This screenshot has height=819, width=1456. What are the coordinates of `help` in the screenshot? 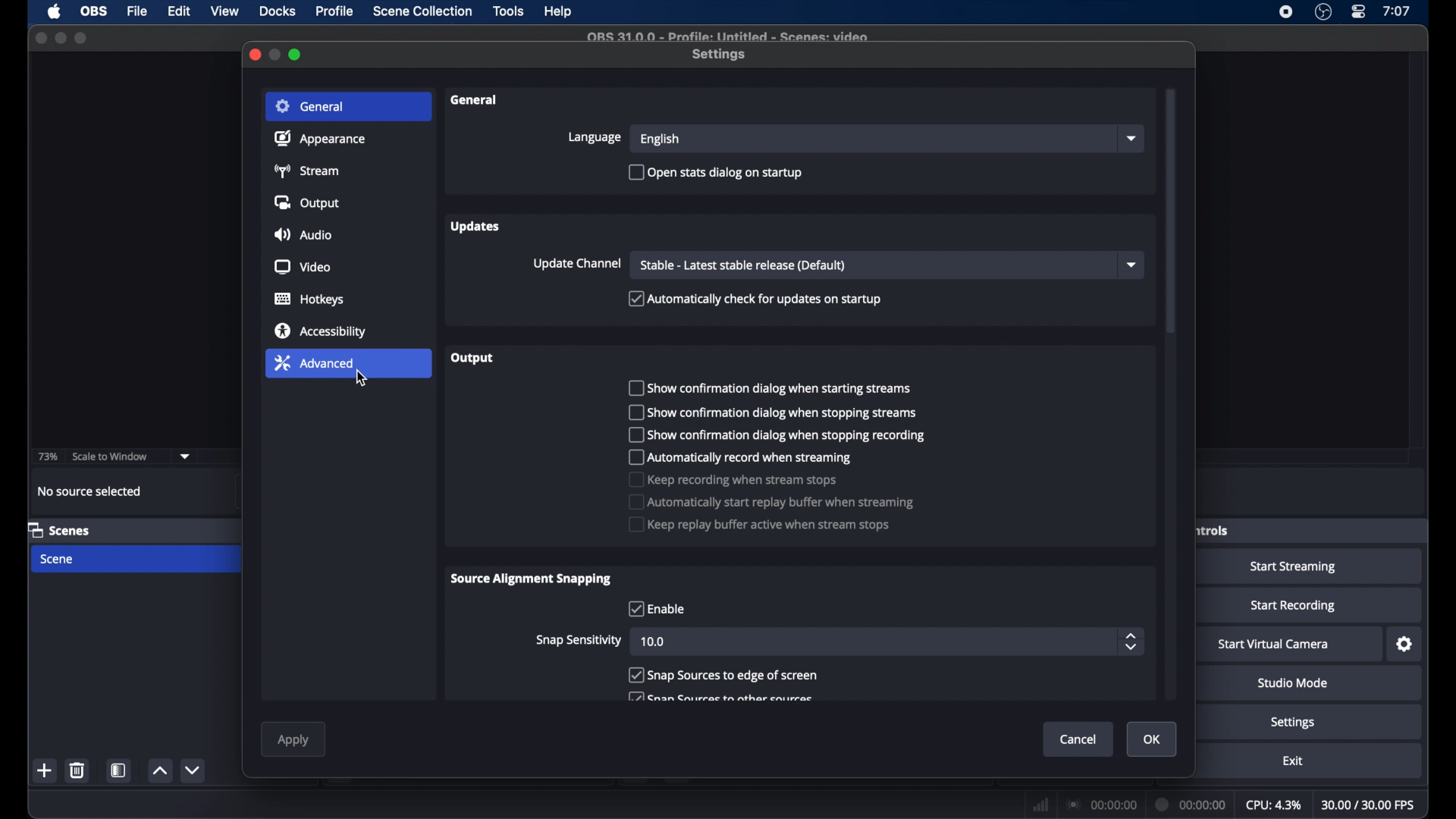 It's located at (558, 11).